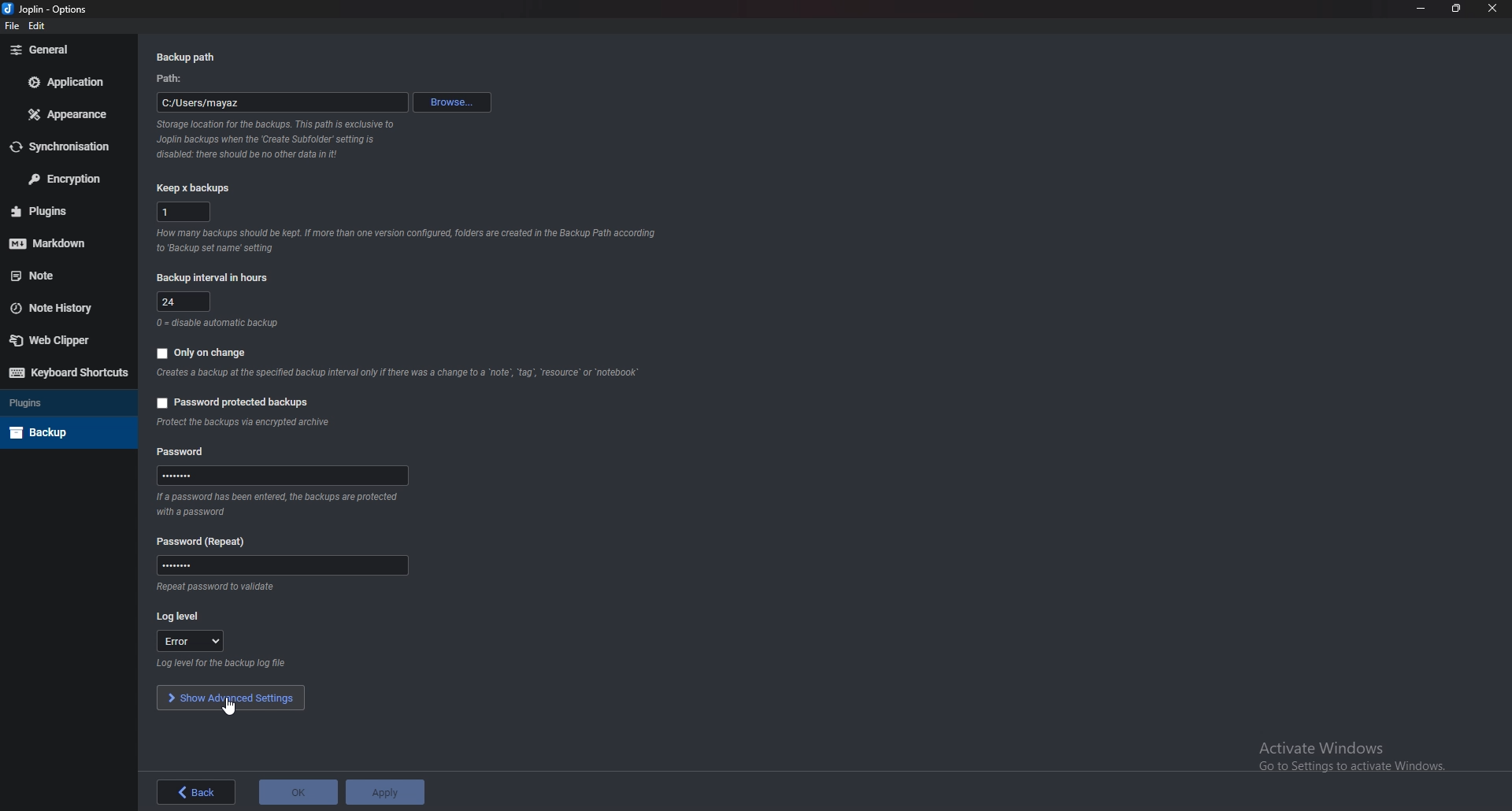 The image size is (1512, 811). What do you see at coordinates (69, 82) in the screenshot?
I see `Application` at bounding box center [69, 82].